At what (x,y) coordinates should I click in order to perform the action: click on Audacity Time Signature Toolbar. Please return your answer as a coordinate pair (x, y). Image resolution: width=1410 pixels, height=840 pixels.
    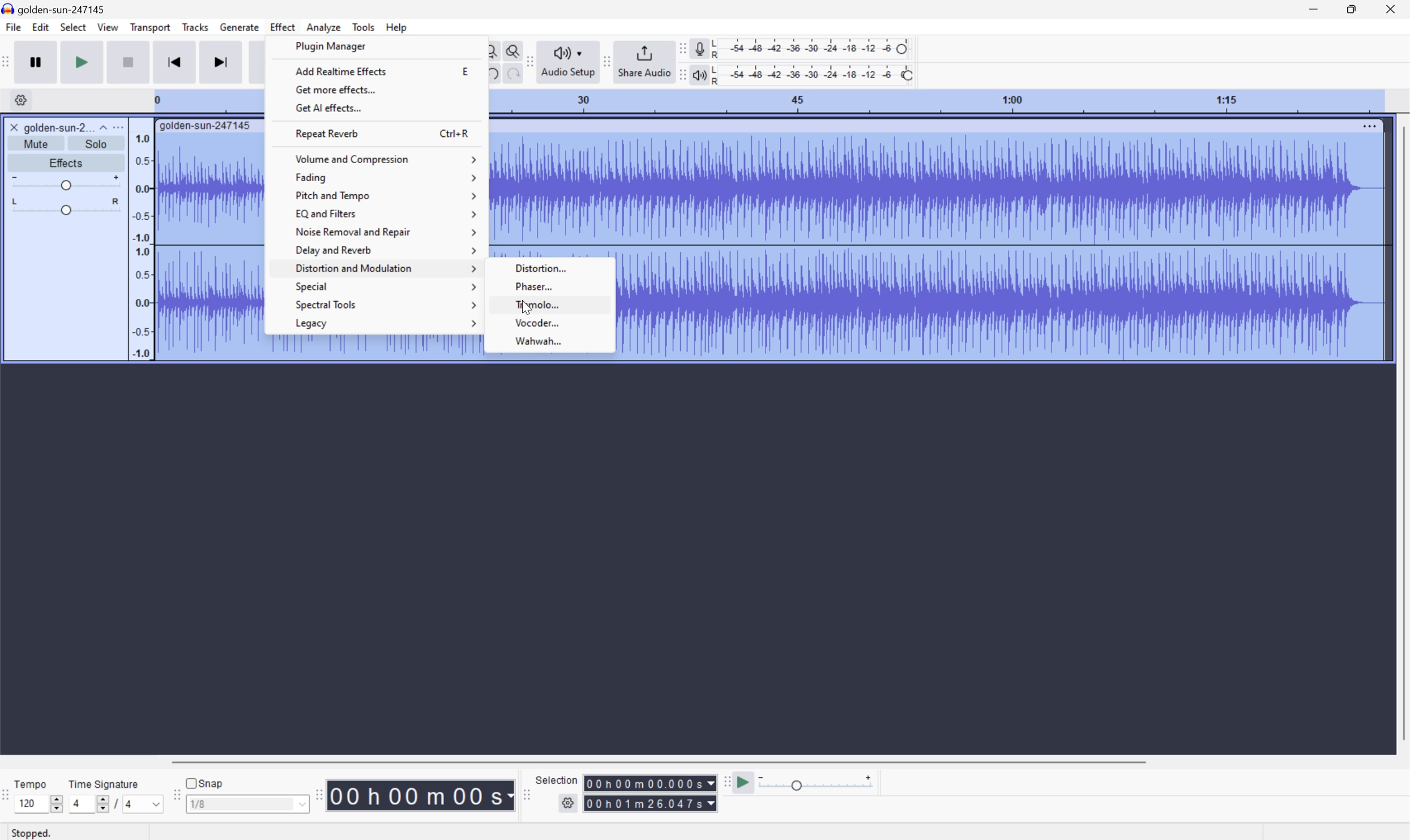
    Looking at the image, I should click on (9, 798).